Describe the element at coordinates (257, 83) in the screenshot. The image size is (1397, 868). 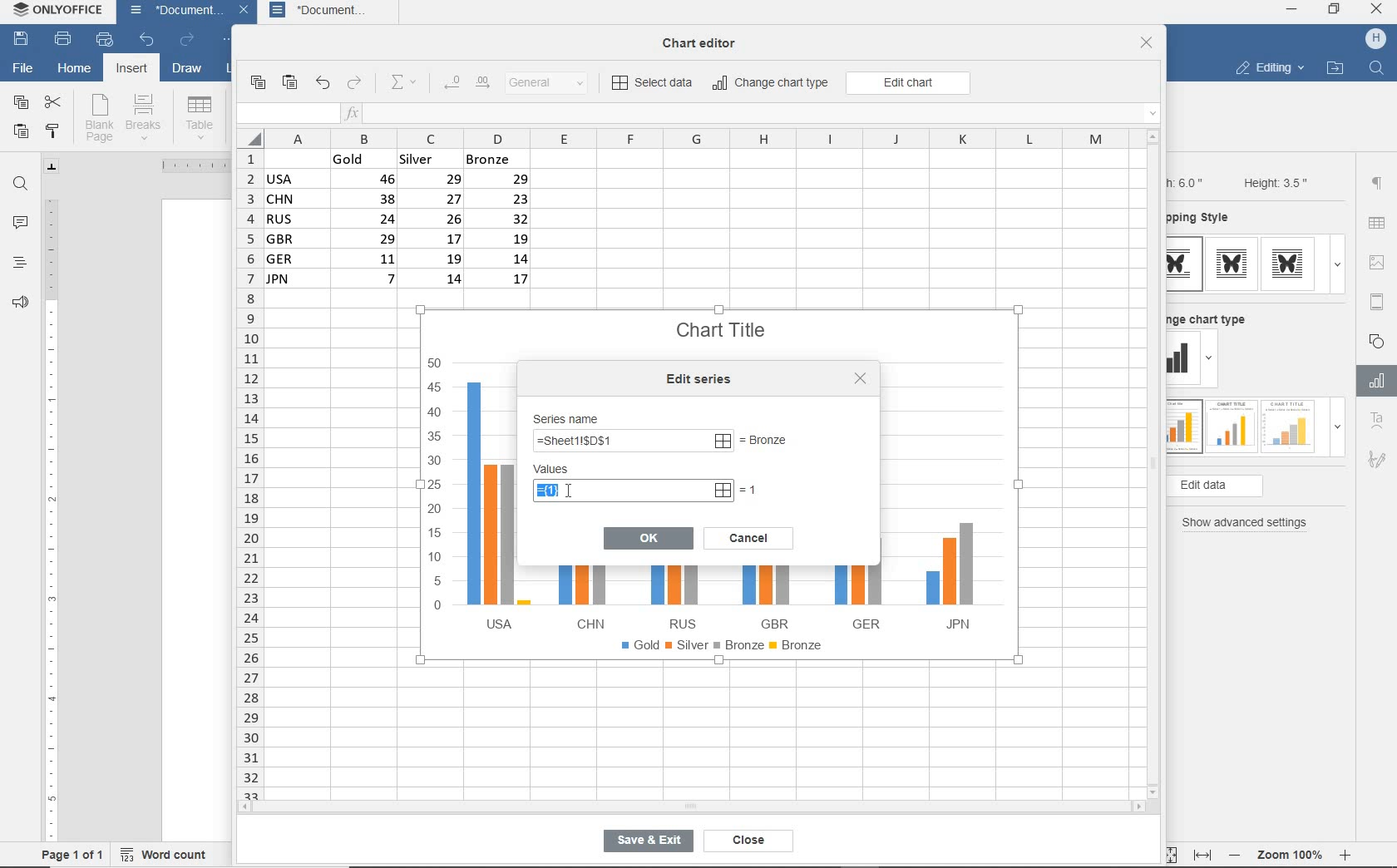
I see `copy` at that location.